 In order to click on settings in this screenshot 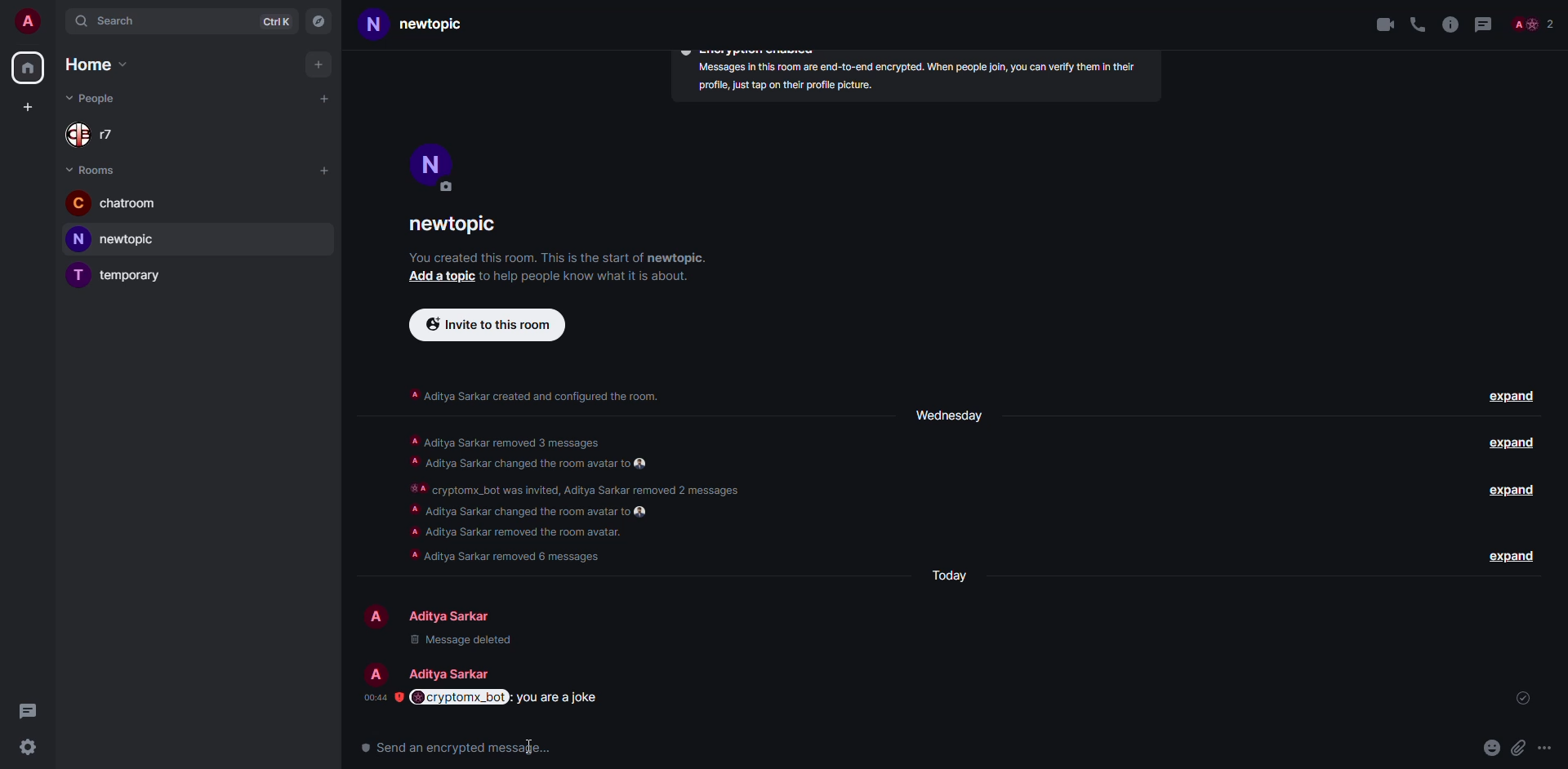, I will do `click(27, 749)`.